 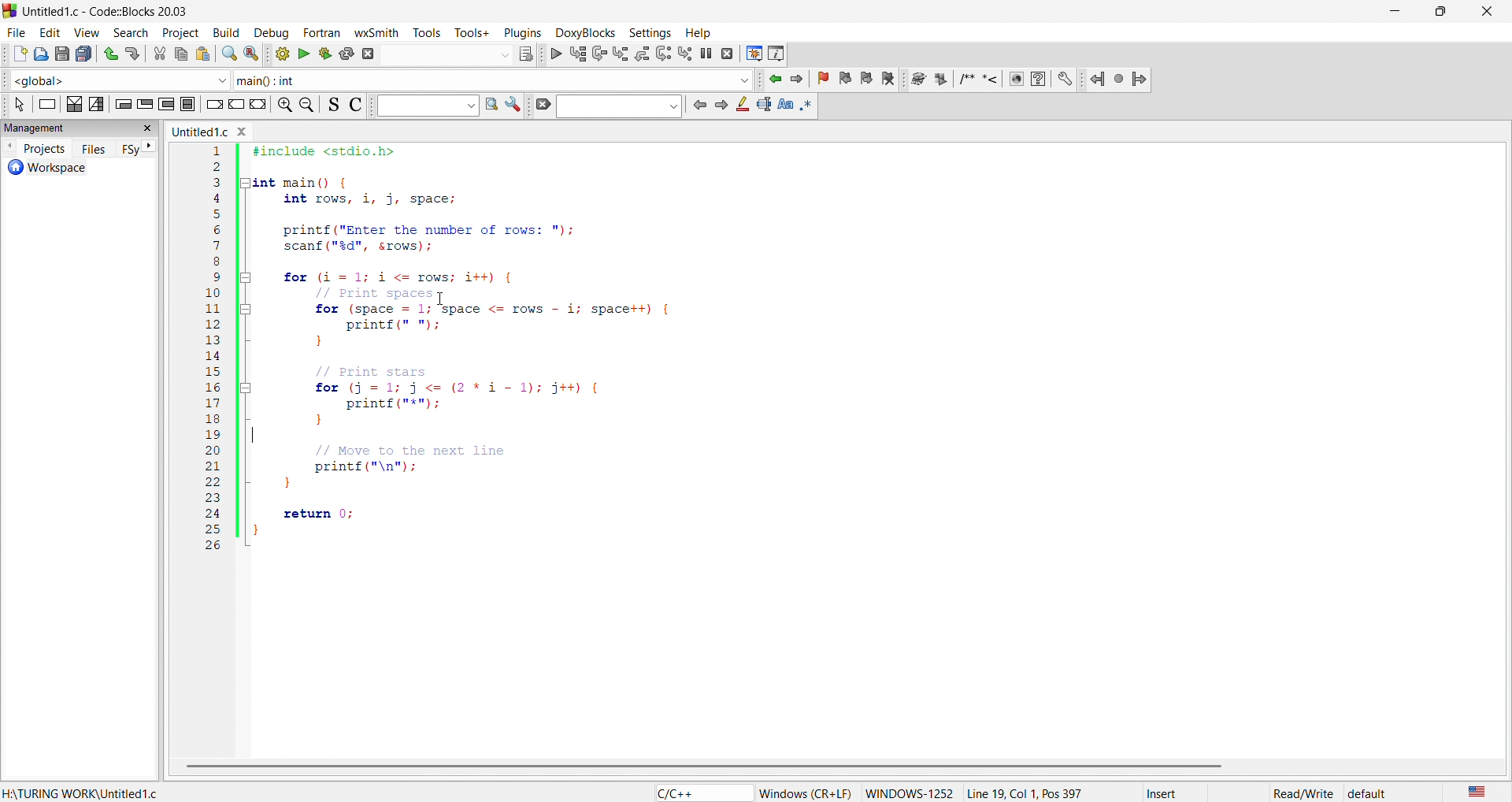 I want to click on match text, so click(x=784, y=103).